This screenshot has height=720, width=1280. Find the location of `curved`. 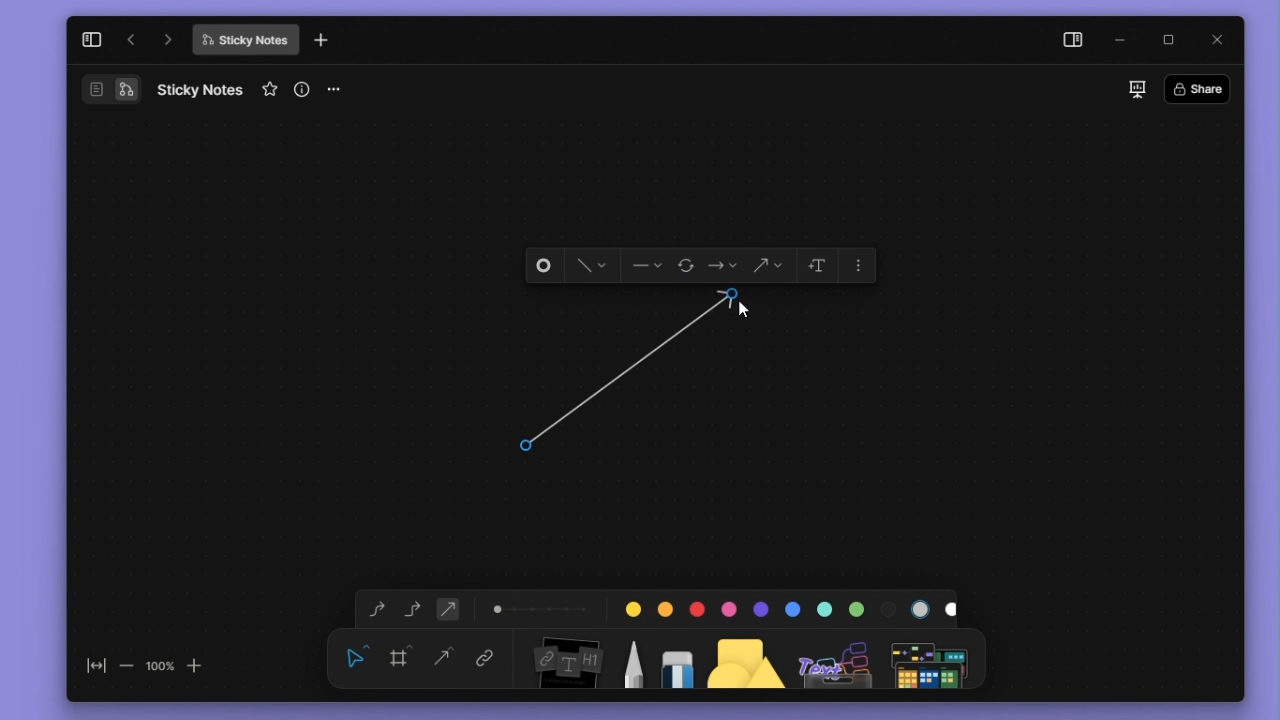

curved is located at coordinates (373, 610).